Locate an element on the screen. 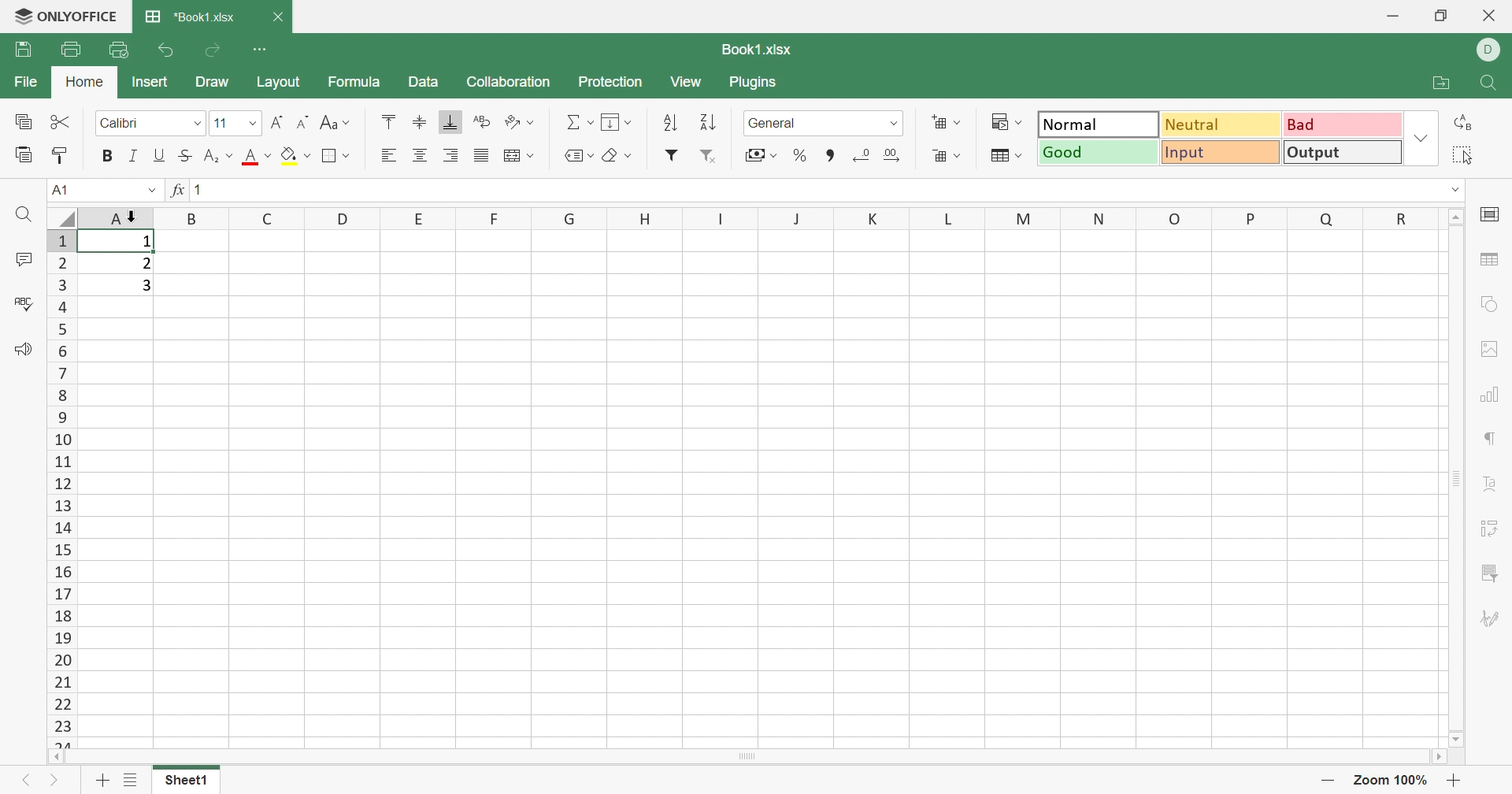 This screenshot has height=794, width=1512. Align right is located at coordinates (454, 155).